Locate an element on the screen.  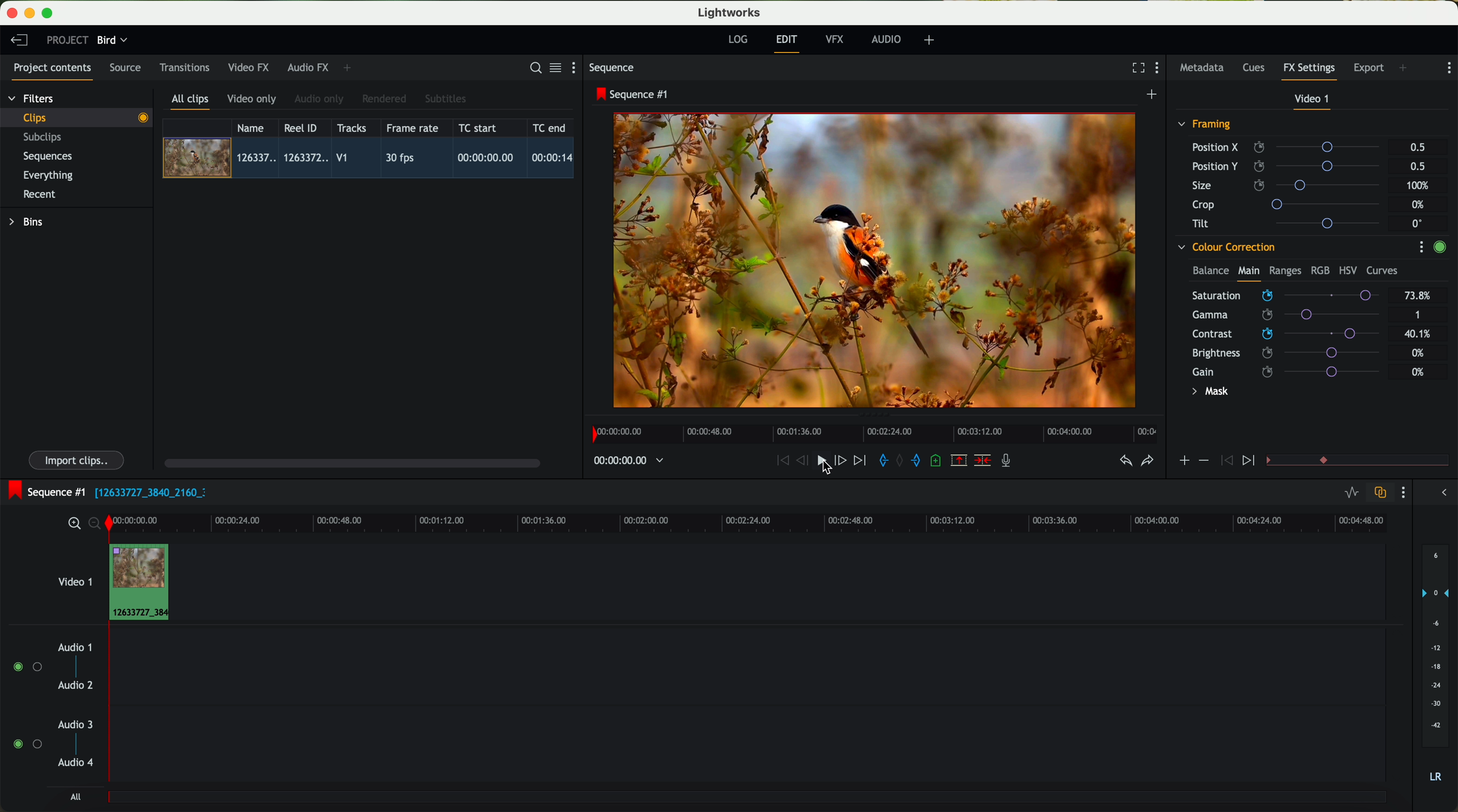
clips is located at coordinates (77, 117).